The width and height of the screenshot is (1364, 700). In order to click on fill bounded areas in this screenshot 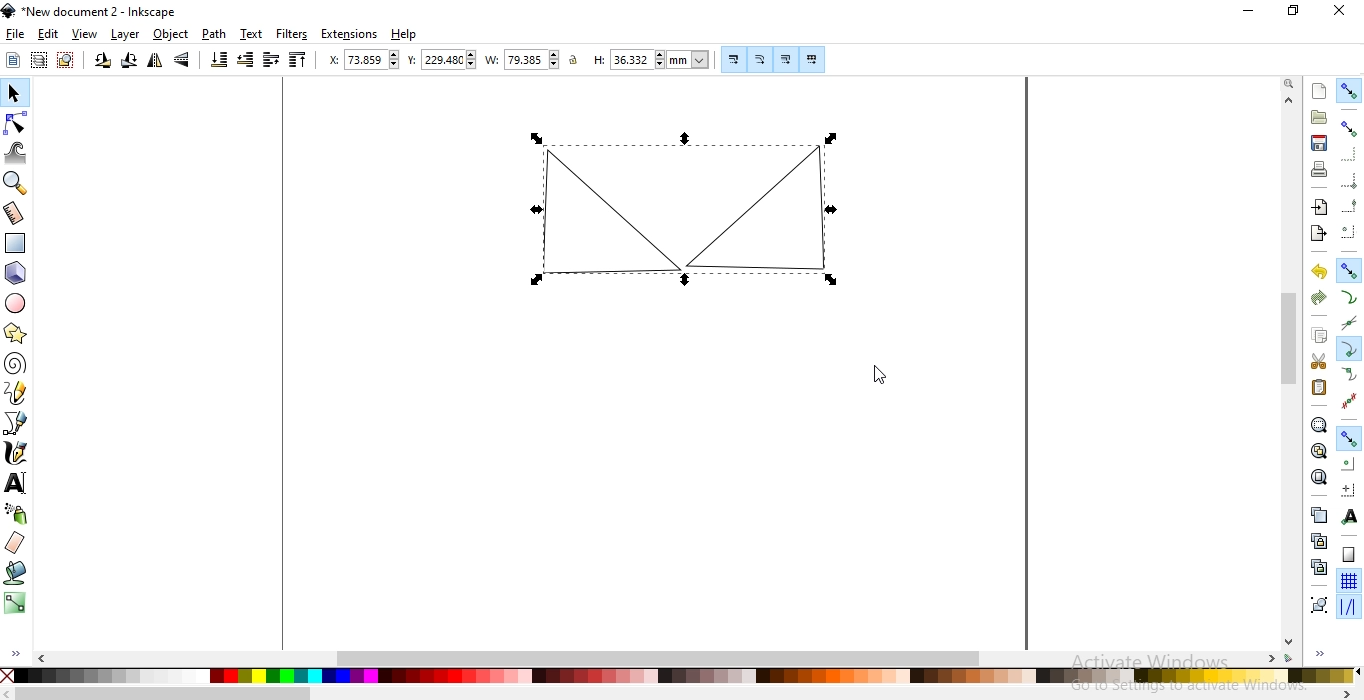, I will do `click(17, 572)`.